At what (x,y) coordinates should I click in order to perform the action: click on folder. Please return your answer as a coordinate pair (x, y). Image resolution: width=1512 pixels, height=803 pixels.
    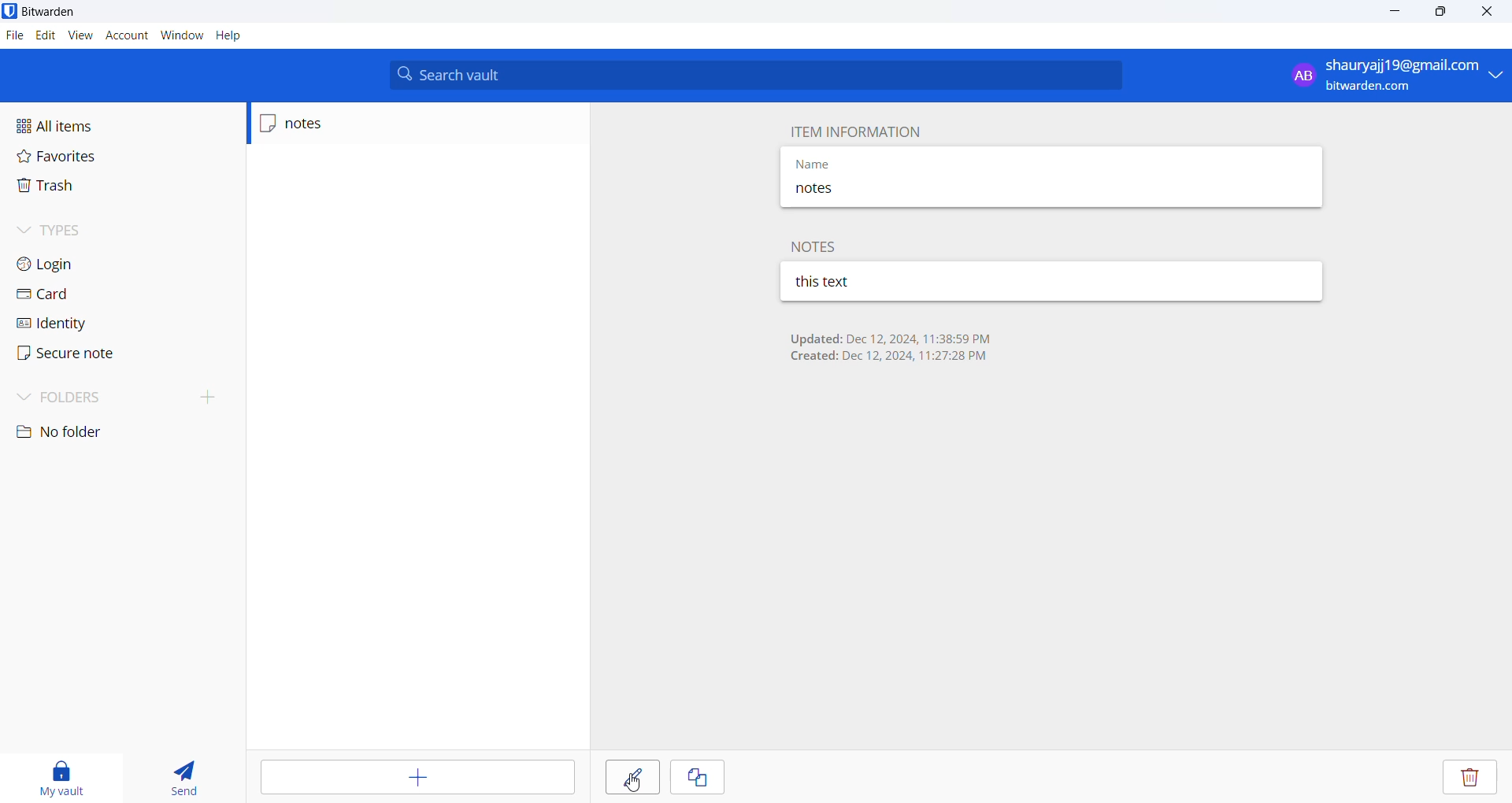
    Looking at the image, I should click on (116, 396).